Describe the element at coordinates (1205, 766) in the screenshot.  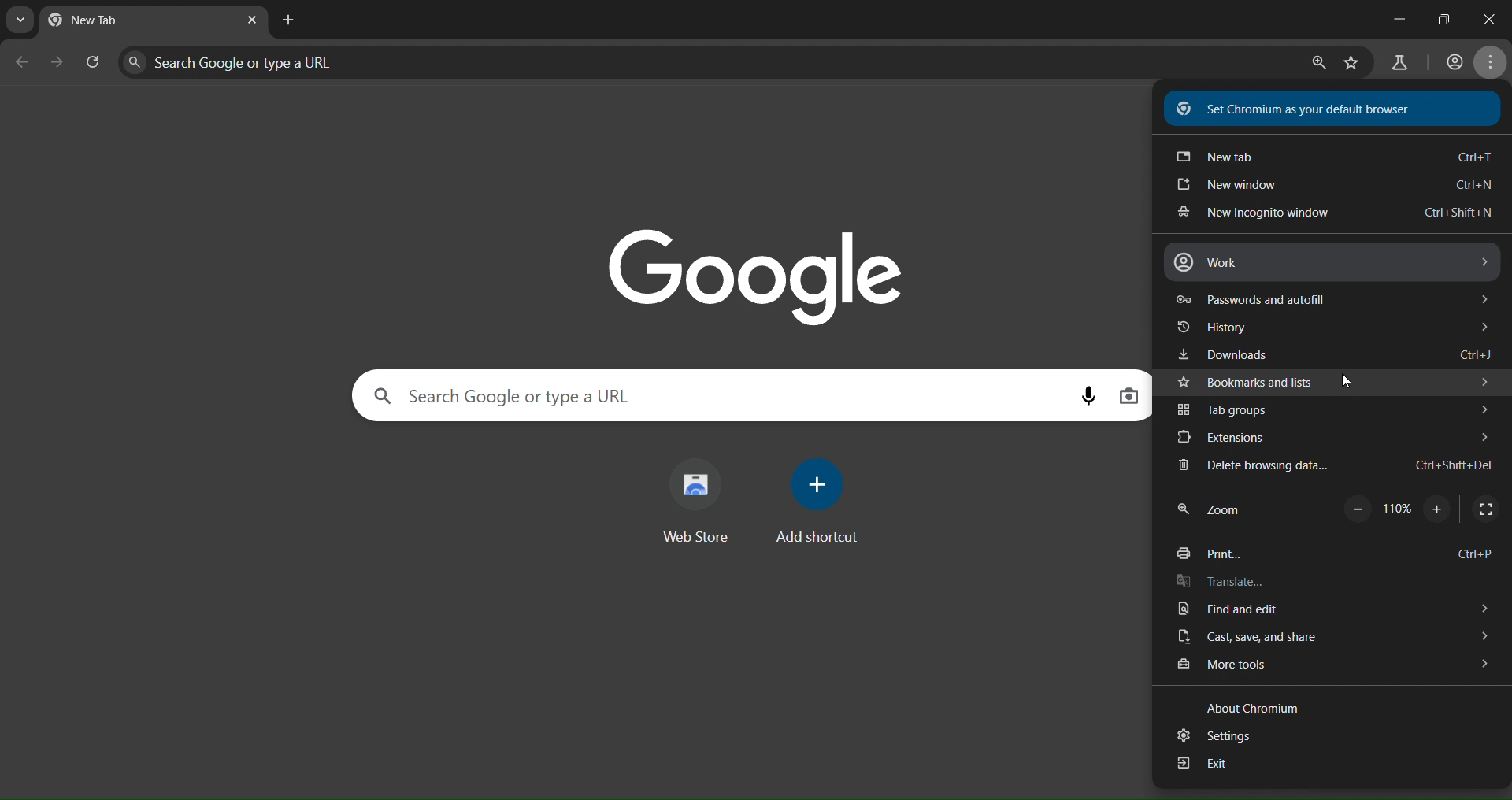
I see `exit` at that location.